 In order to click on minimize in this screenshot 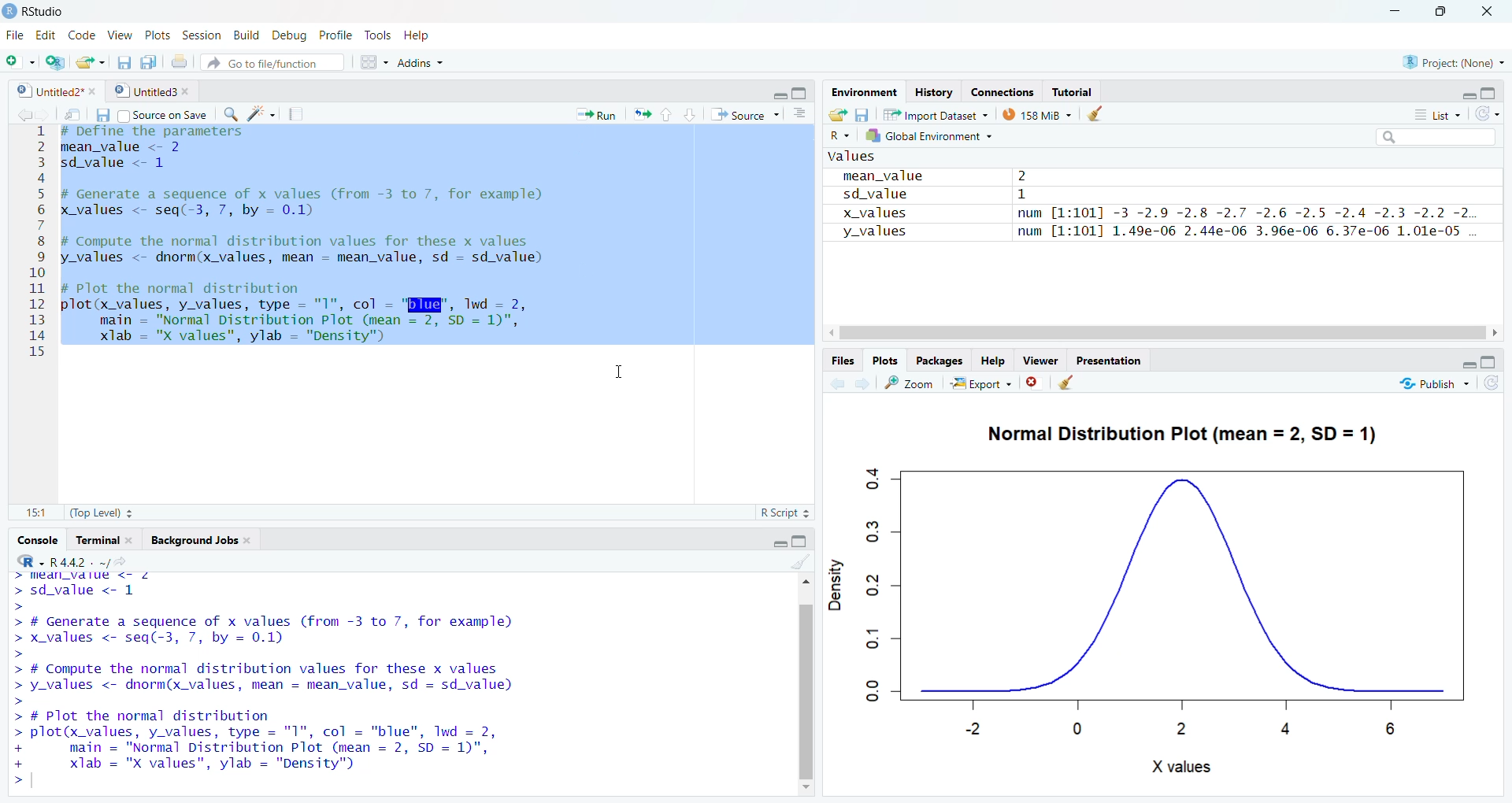, I will do `click(1392, 12)`.